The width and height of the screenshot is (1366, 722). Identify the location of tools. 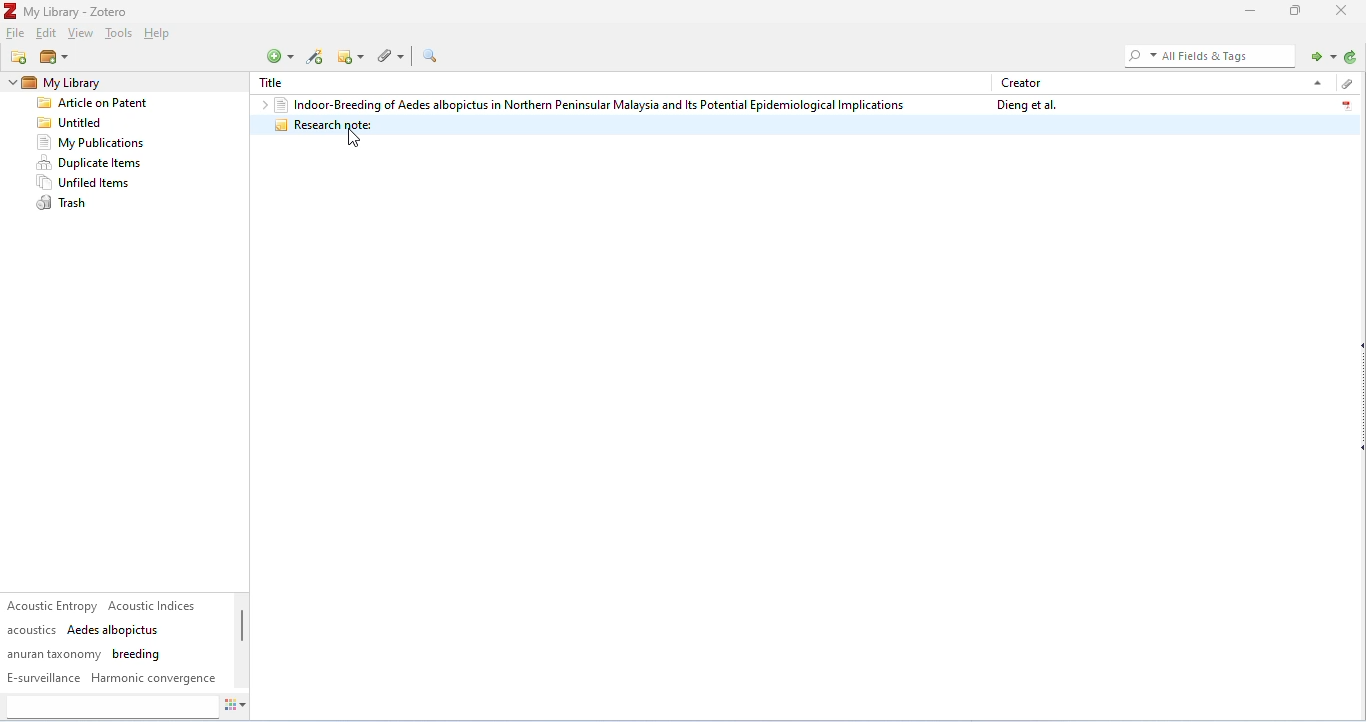
(118, 35).